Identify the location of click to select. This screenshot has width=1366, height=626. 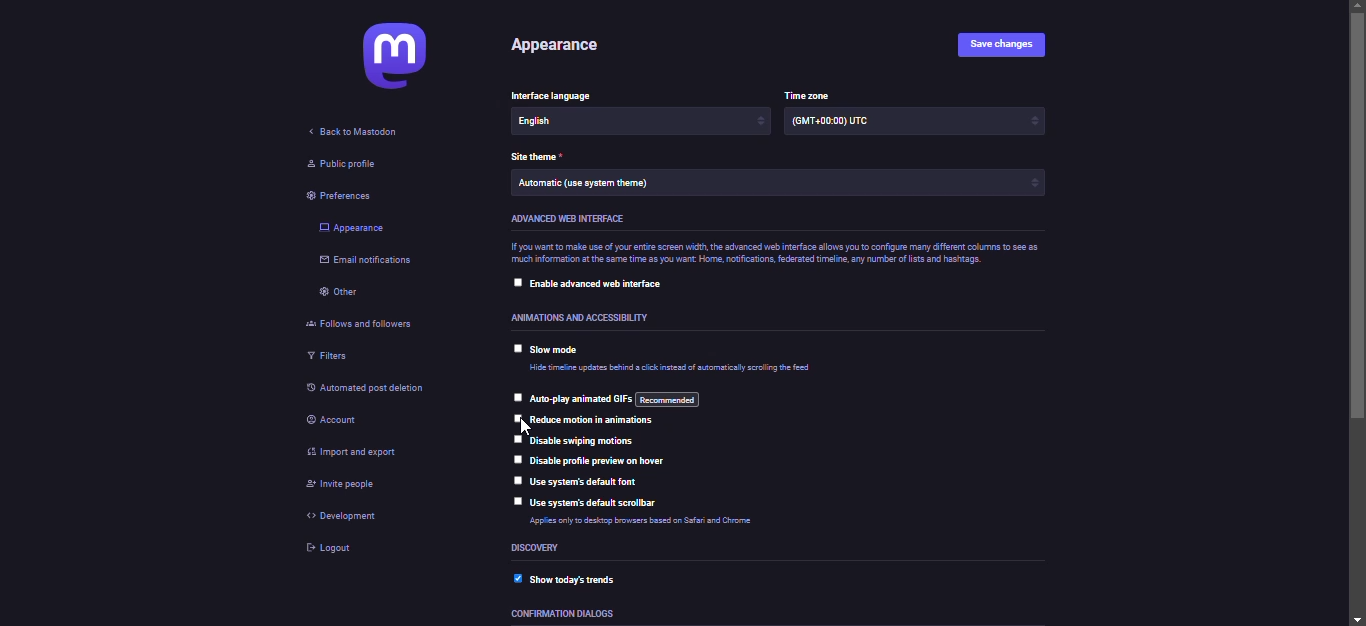
(514, 479).